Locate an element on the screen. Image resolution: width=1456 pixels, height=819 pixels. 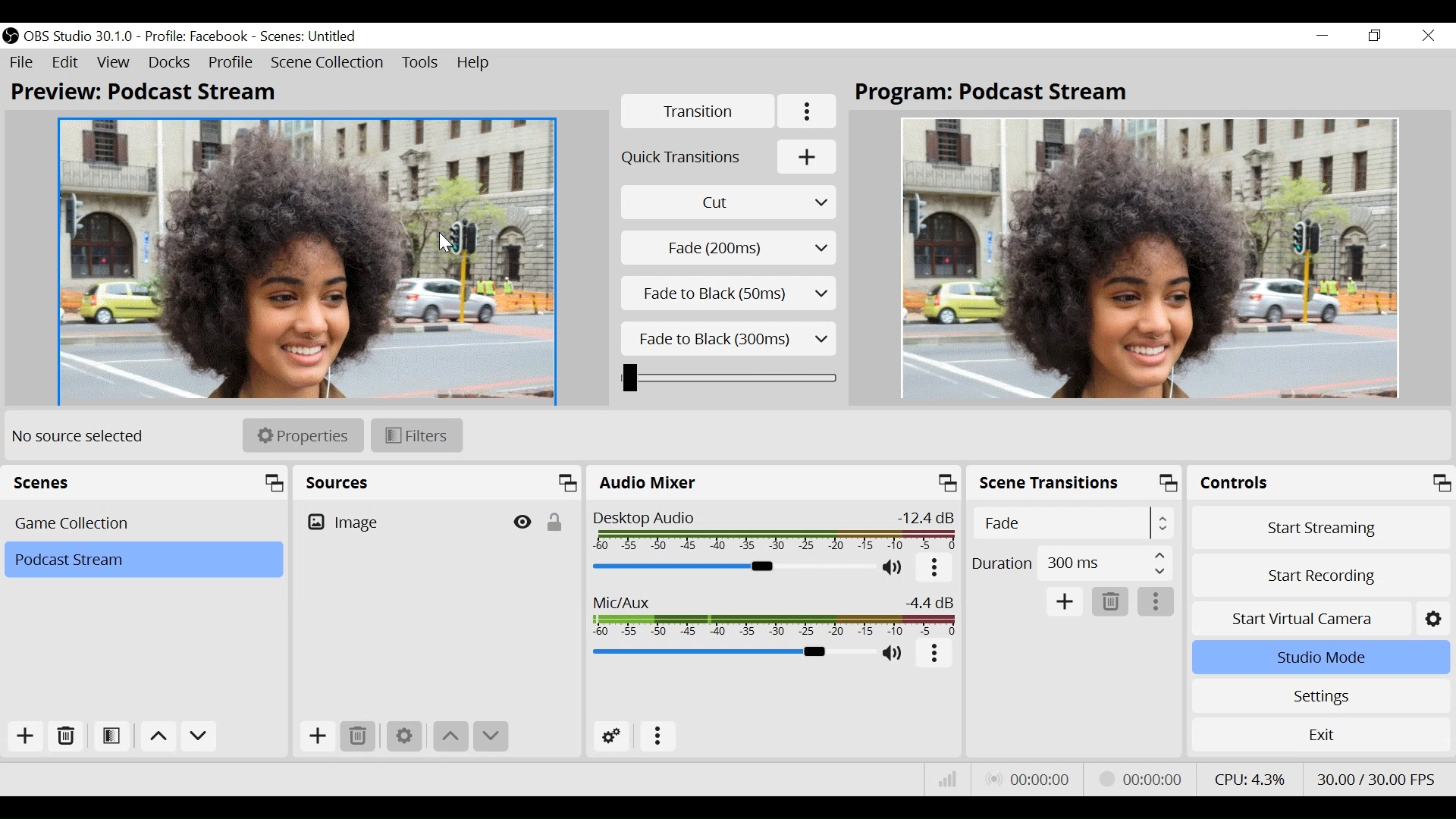
Close is located at coordinates (1426, 36).